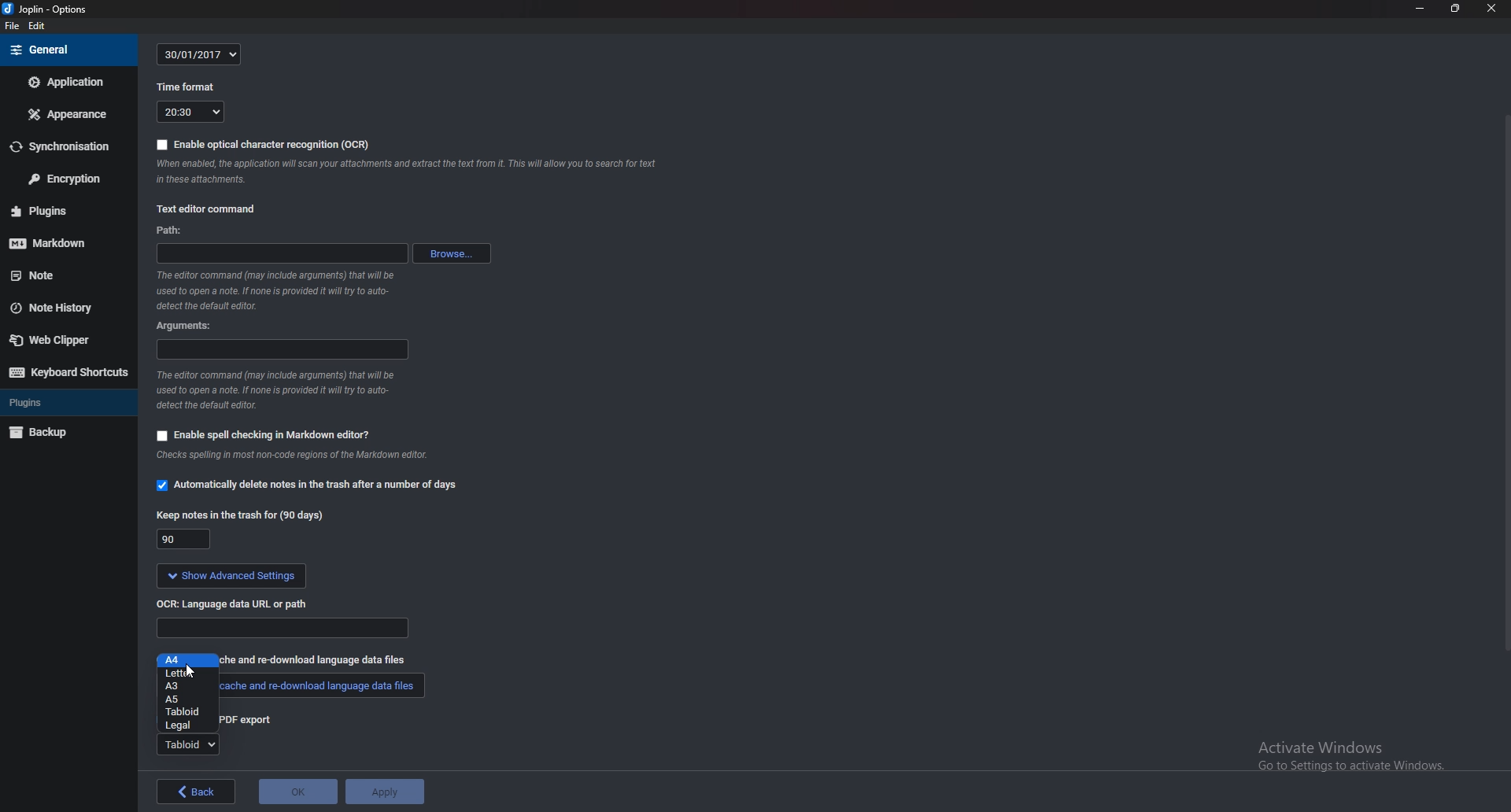  Describe the element at coordinates (449, 253) in the screenshot. I see `browse` at that location.